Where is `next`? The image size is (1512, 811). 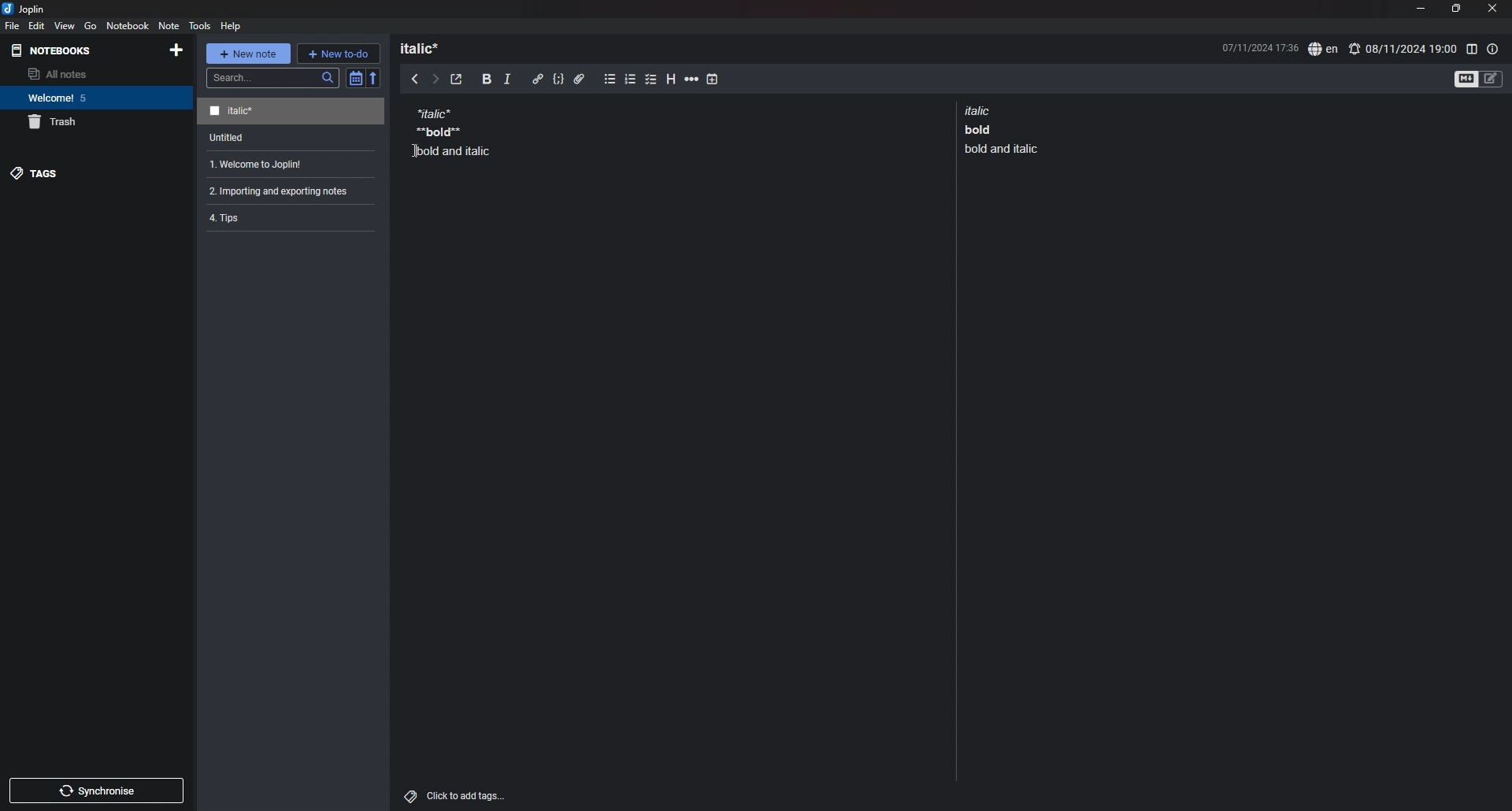
next is located at coordinates (435, 80).